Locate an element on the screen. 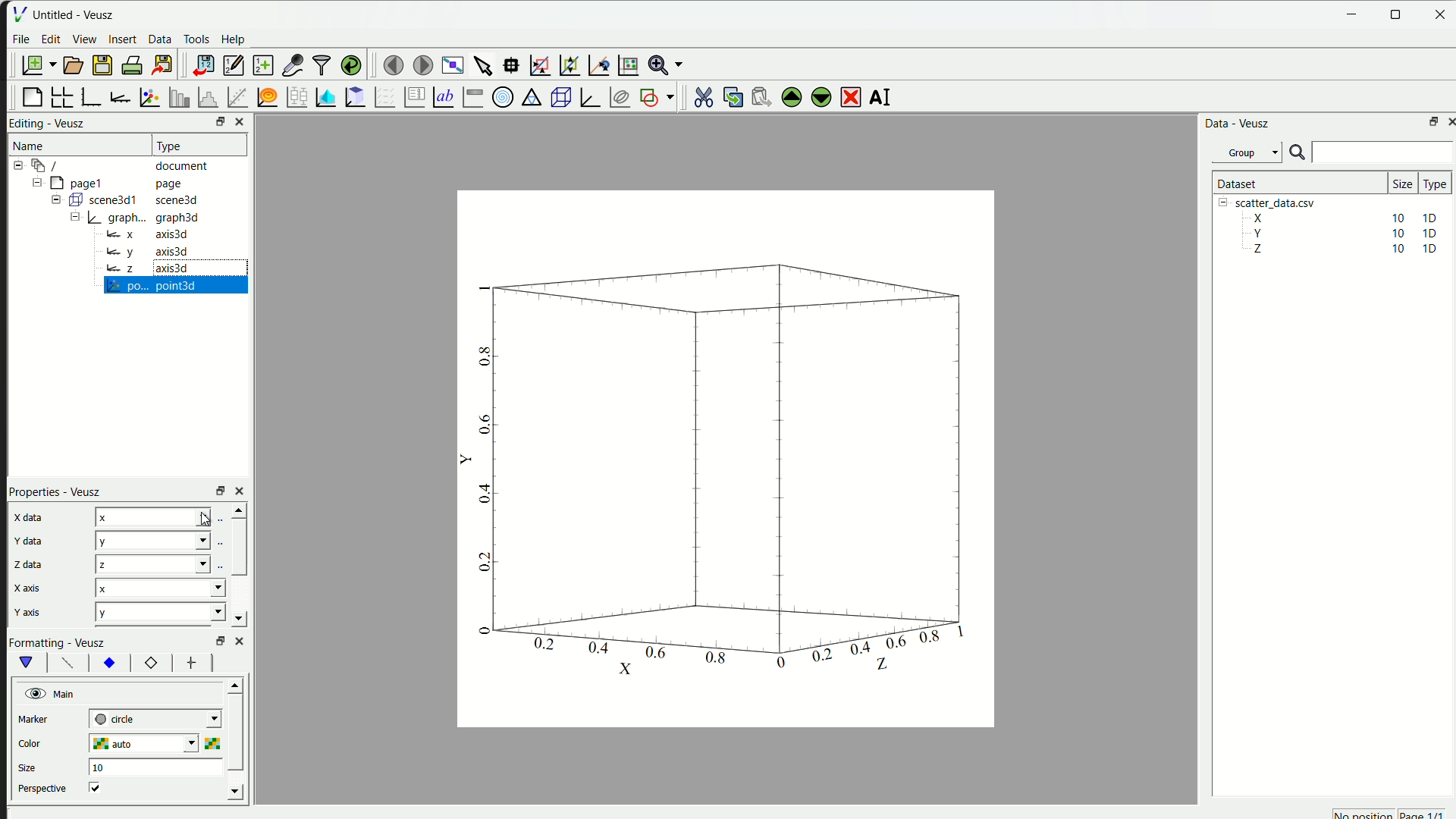 This screenshot has height=819, width=1456. x axis is located at coordinates (28, 588).